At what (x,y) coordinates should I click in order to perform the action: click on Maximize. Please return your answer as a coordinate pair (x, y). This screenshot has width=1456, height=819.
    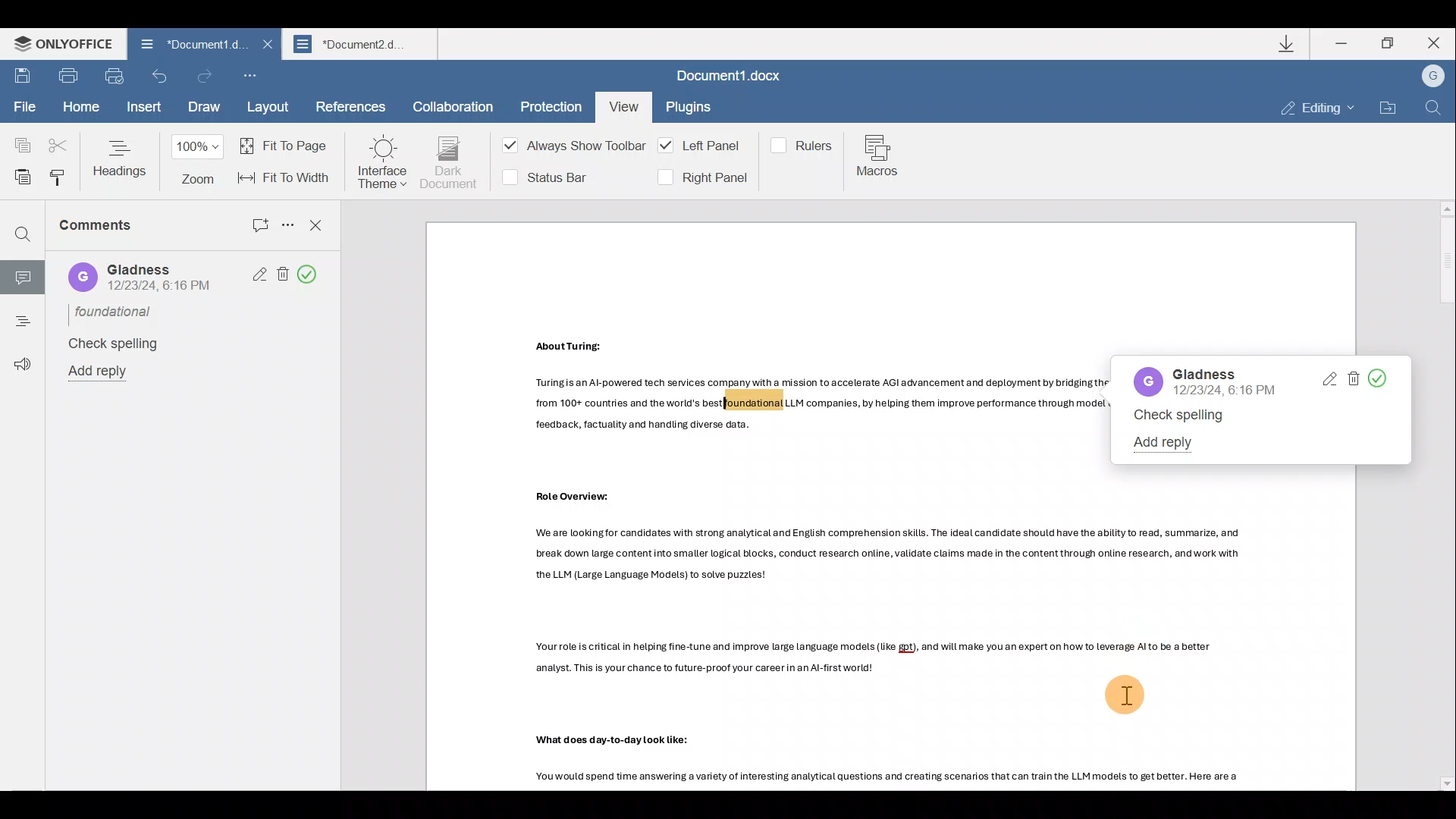
    Looking at the image, I should click on (1391, 43).